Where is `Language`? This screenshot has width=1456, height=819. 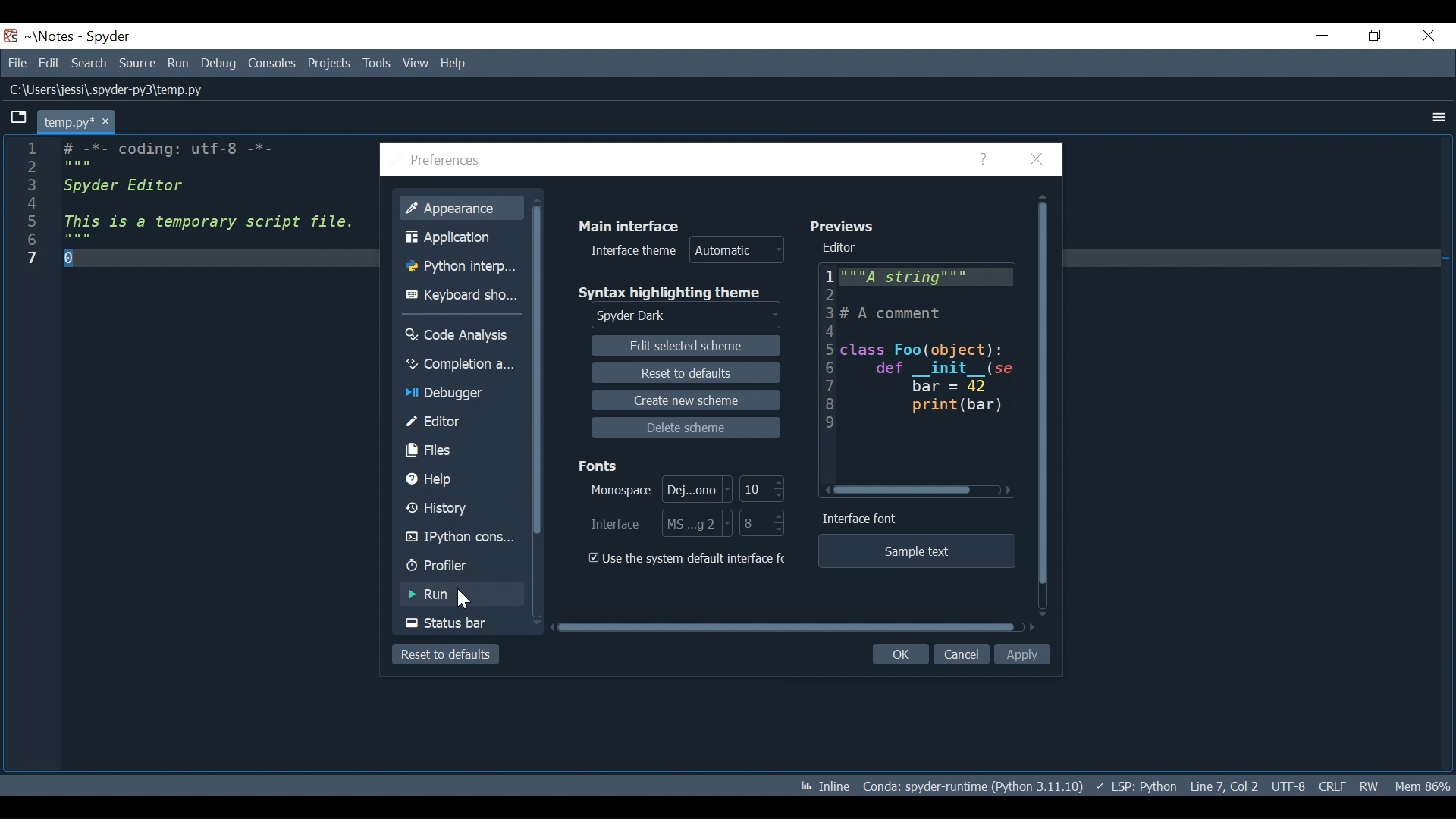 Language is located at coordinates (1137, 786).